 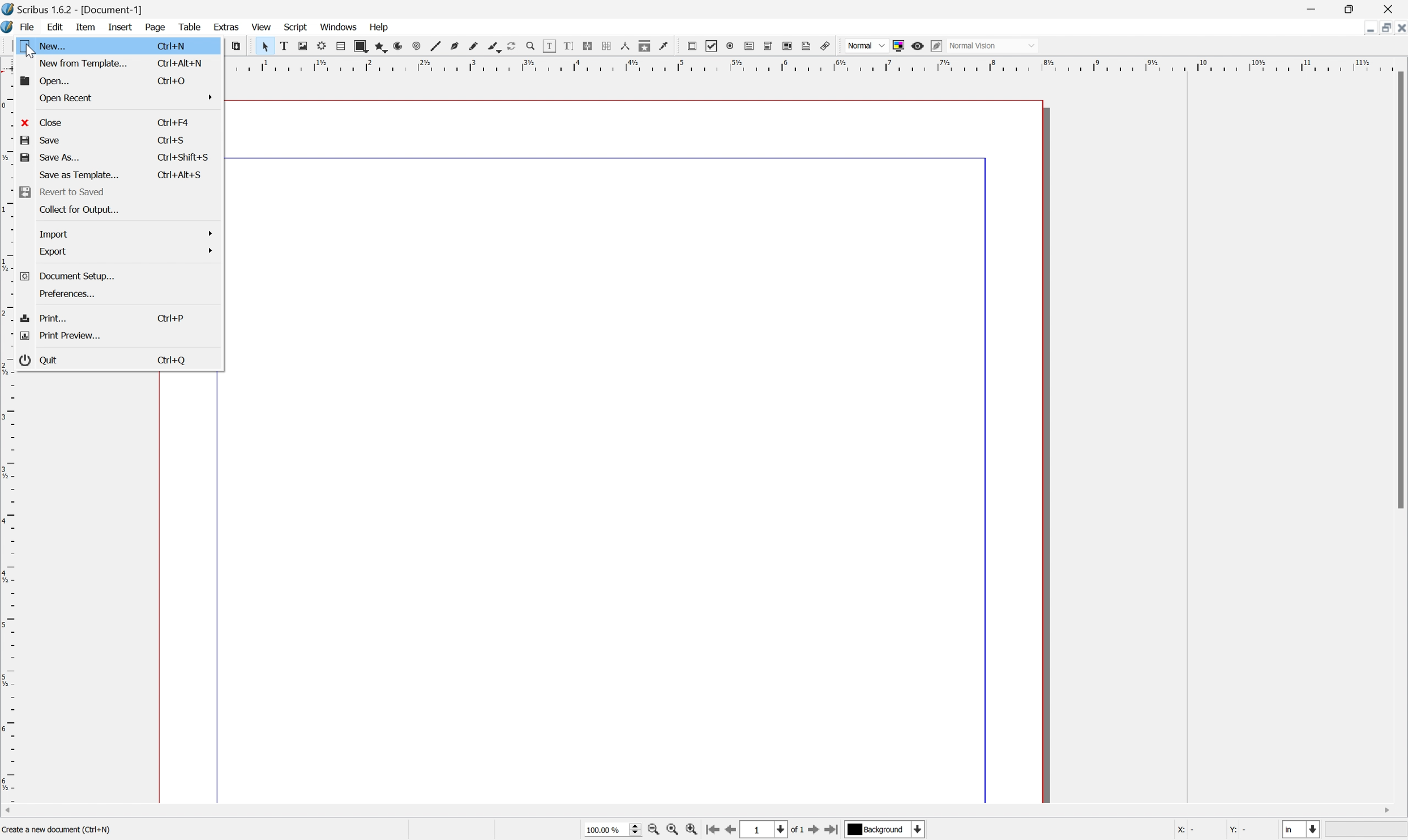 What do you see at coordinates (55, 28) in the screenshot?
I see `Edit` at bounding box center [55, 28].